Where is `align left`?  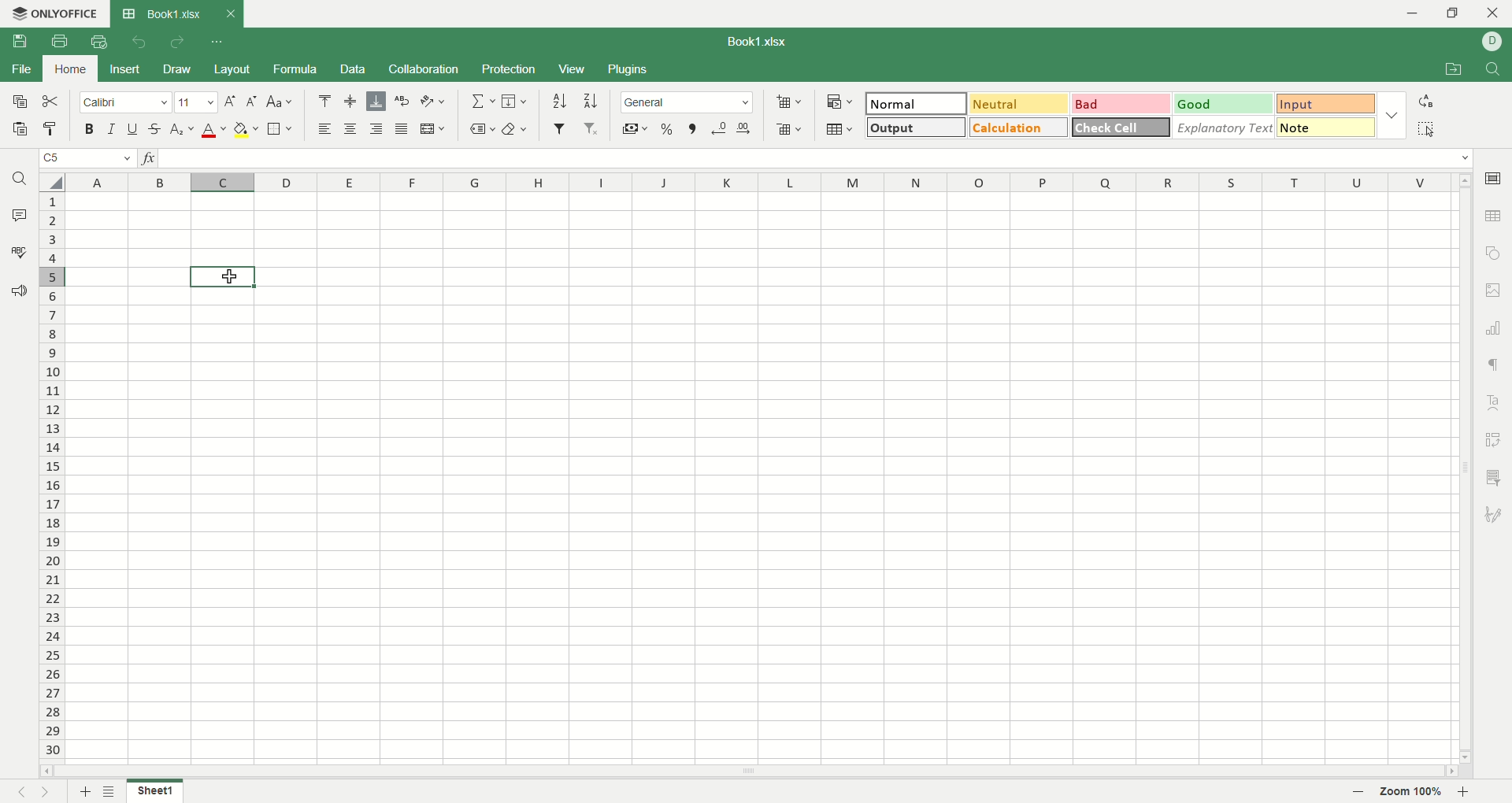
align left is located at coordinates (328, 130).